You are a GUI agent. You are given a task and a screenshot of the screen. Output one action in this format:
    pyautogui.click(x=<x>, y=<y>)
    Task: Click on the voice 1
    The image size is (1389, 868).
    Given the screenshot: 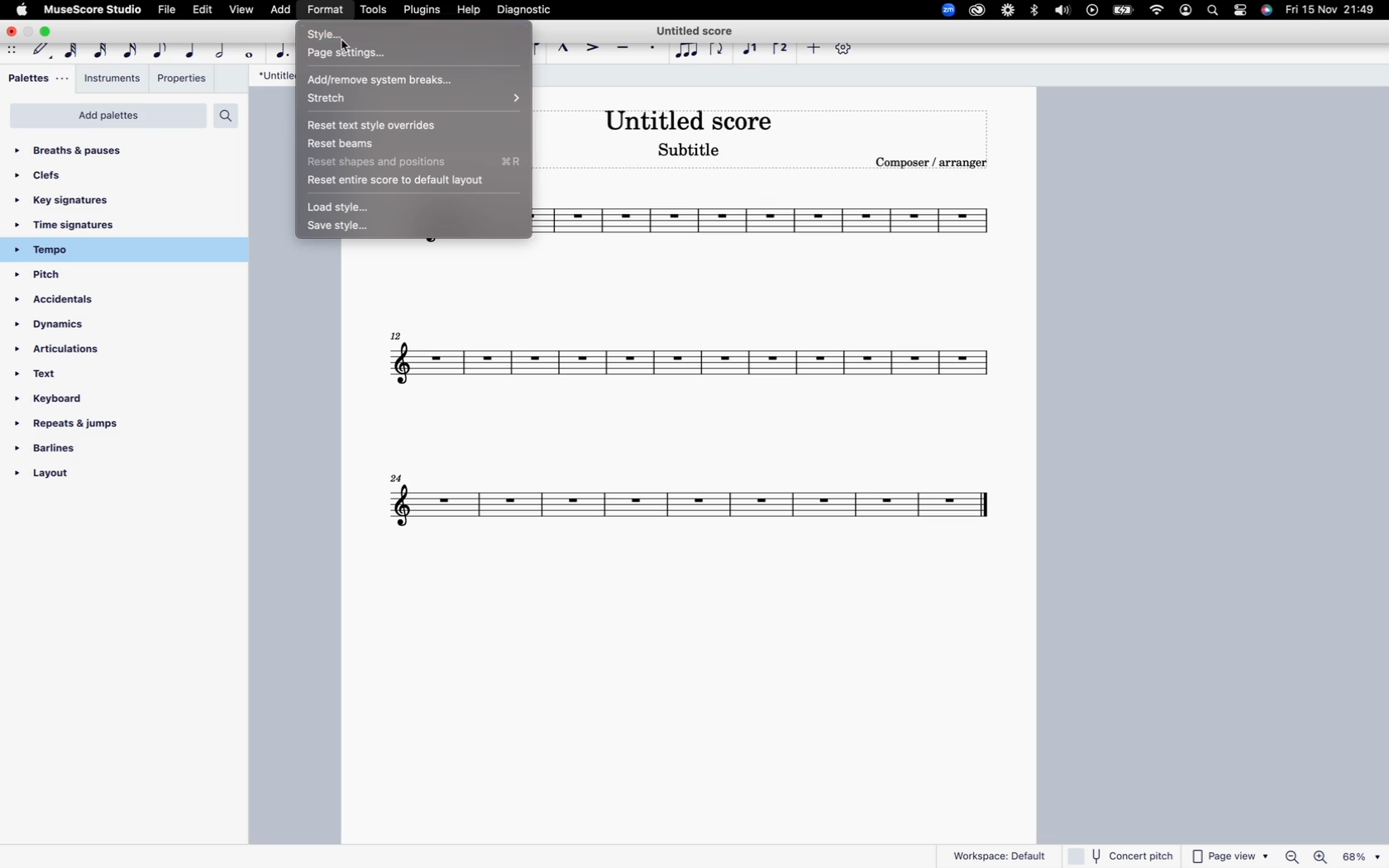 What is the action you would take?
    pyautogui.click(x=753, y=48)
    